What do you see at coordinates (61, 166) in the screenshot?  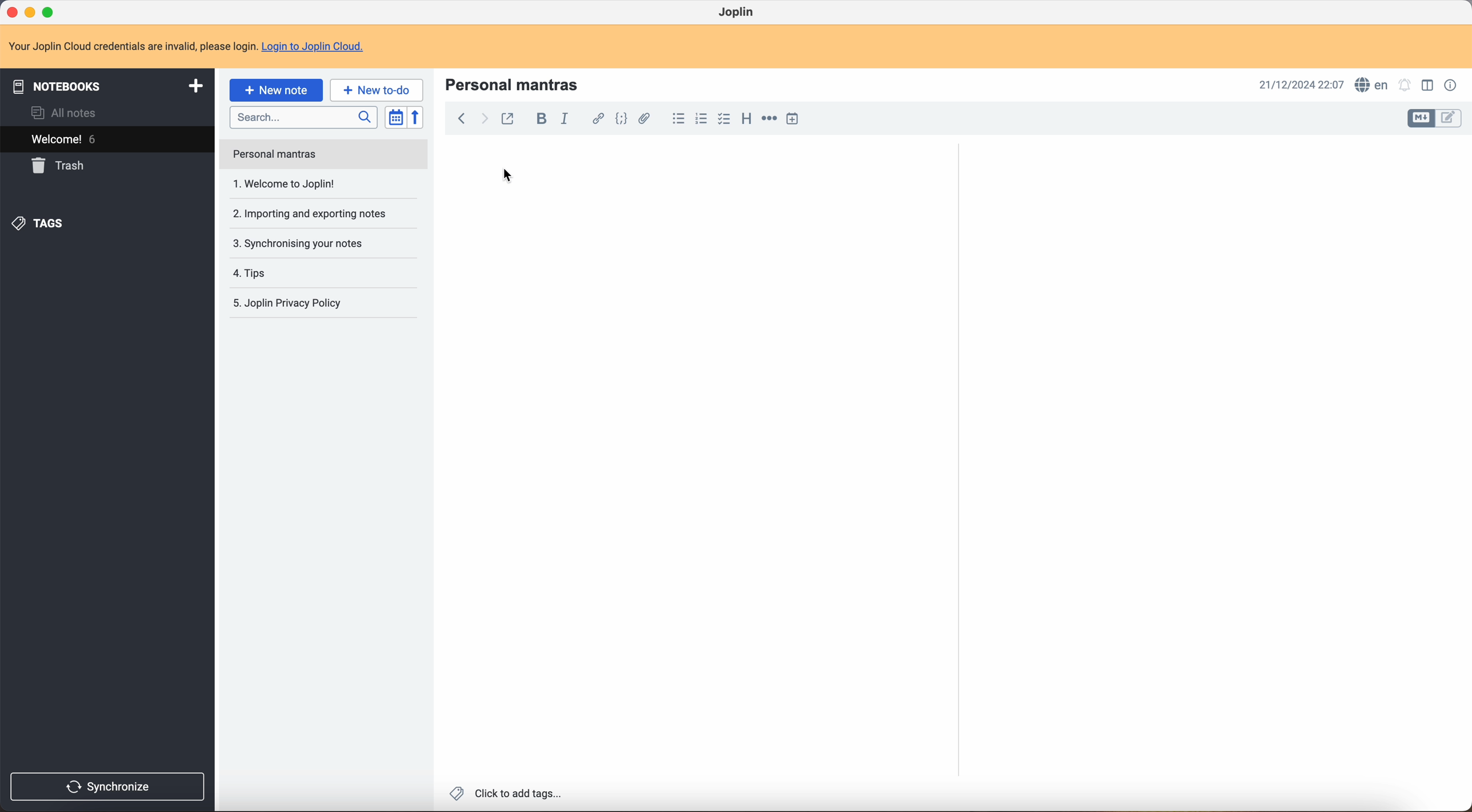 I see `trash` at bounding box center [61, 166].